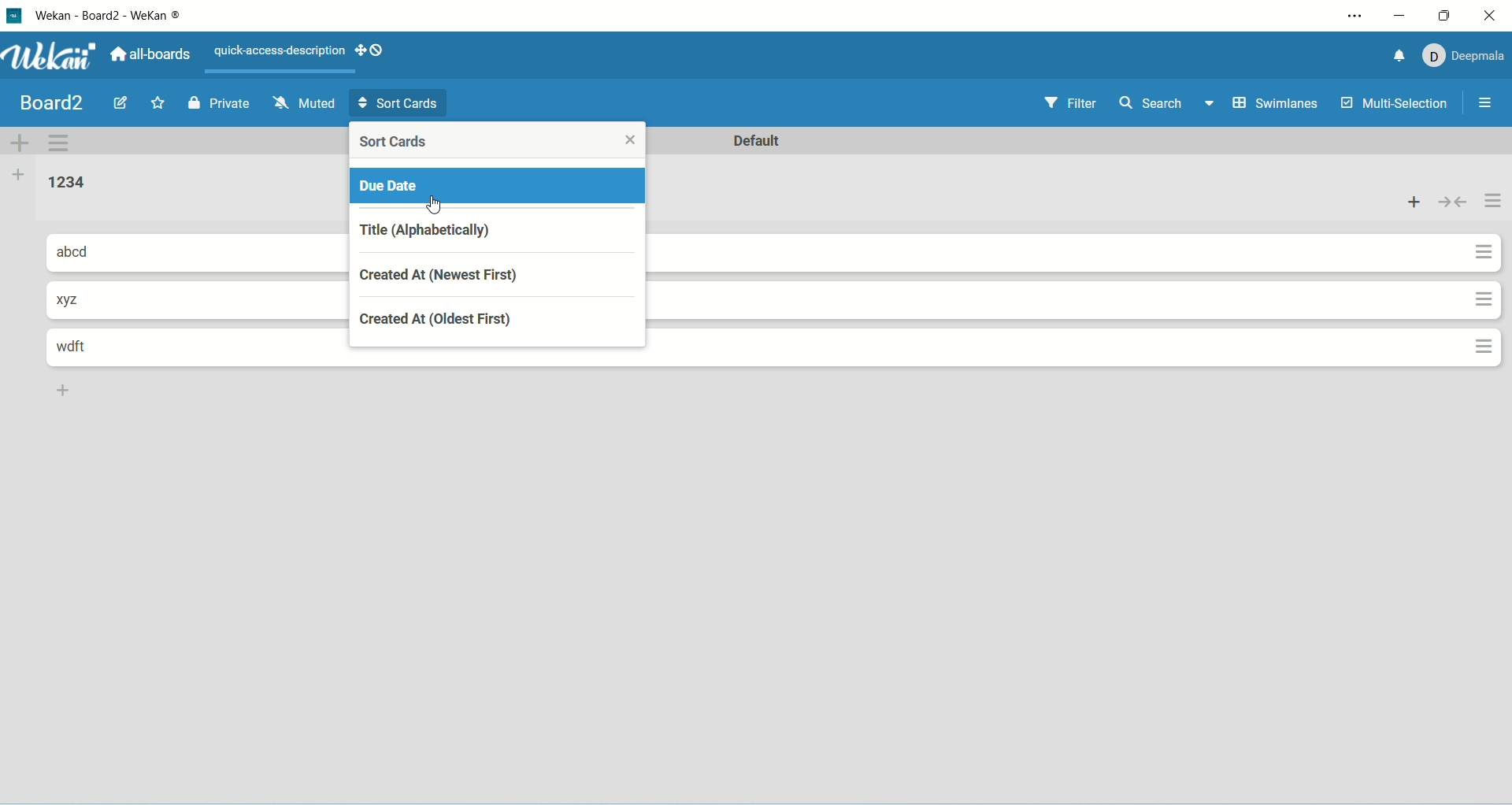 The image size is (1512, 805). Describe the element at coordinates (1489, 272) in the screenshot. I see `actions` at that location.